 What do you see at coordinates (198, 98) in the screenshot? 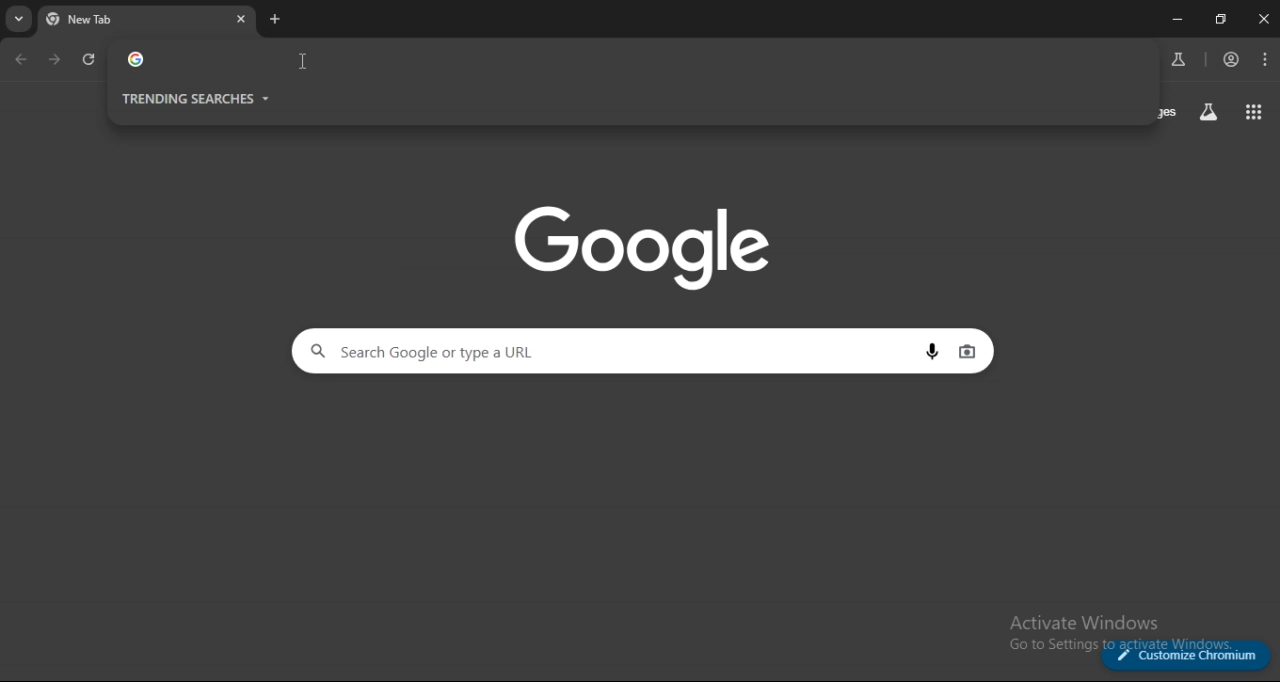
I see `trending searches` at bounding box center [198, 98].